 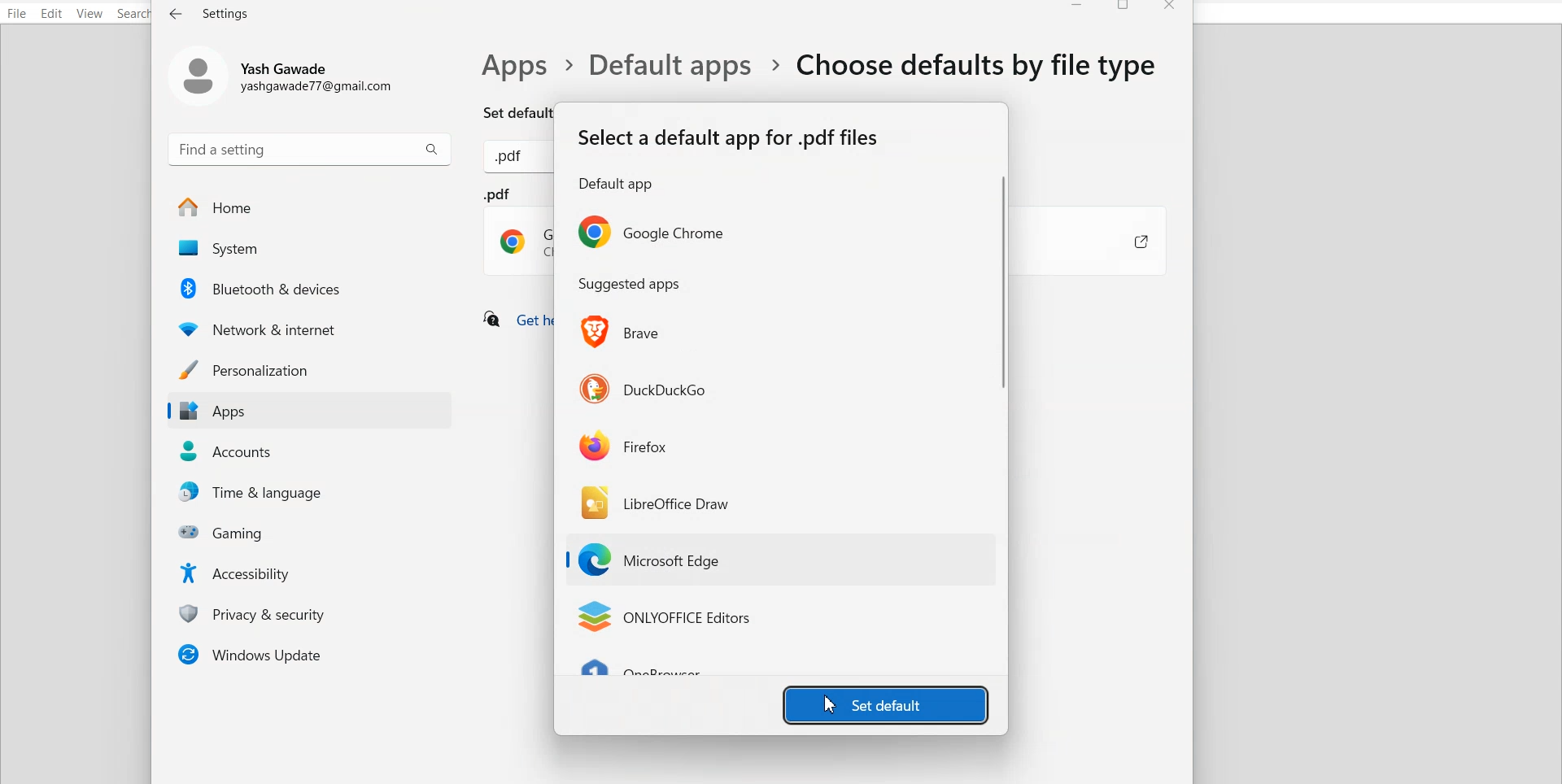 I want to click on Set default, so click(x=886, y=703).